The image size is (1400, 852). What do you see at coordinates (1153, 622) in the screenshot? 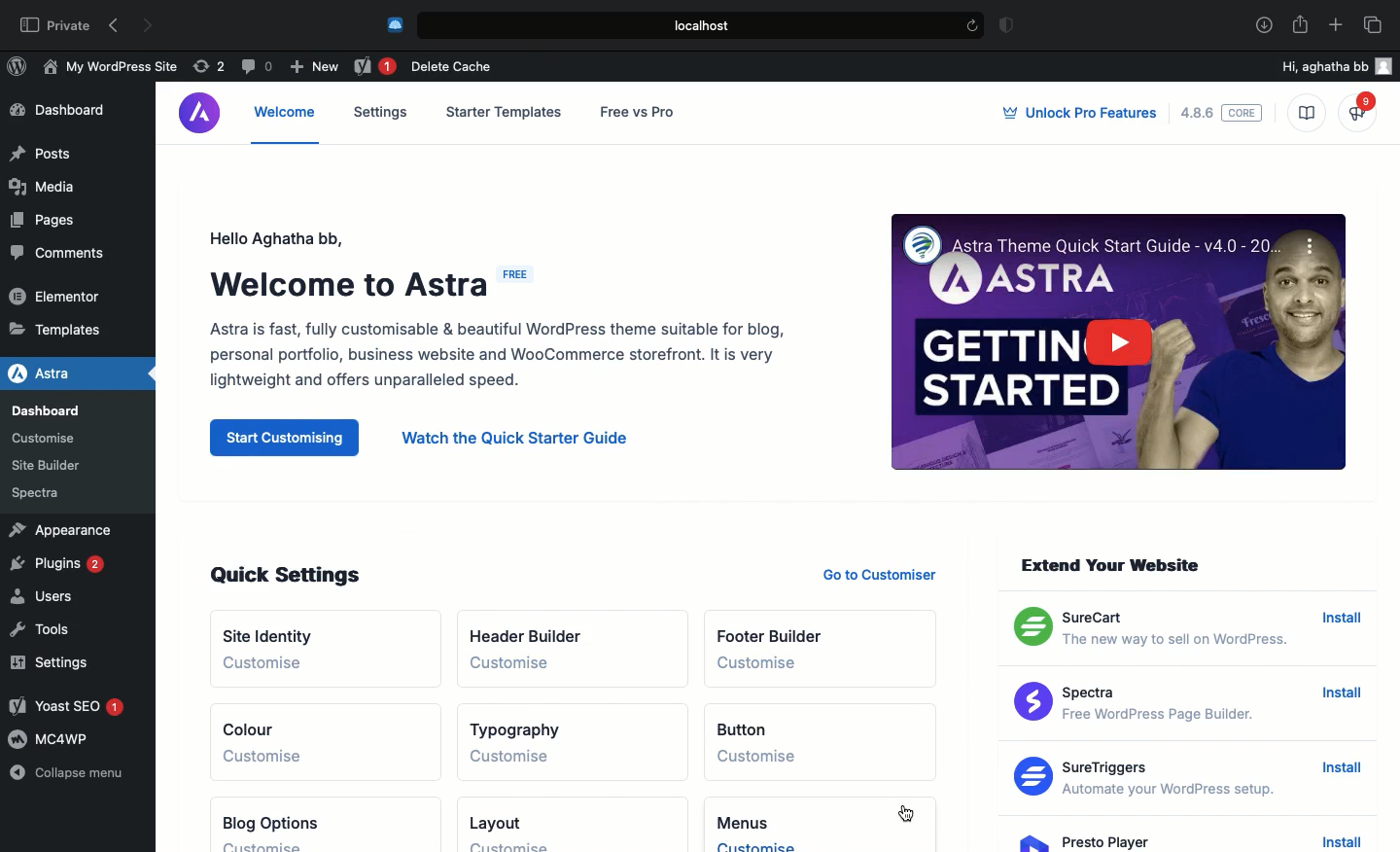
I see `SureCart The new way to sell on WordPress` at bounding box center [1153, 622].